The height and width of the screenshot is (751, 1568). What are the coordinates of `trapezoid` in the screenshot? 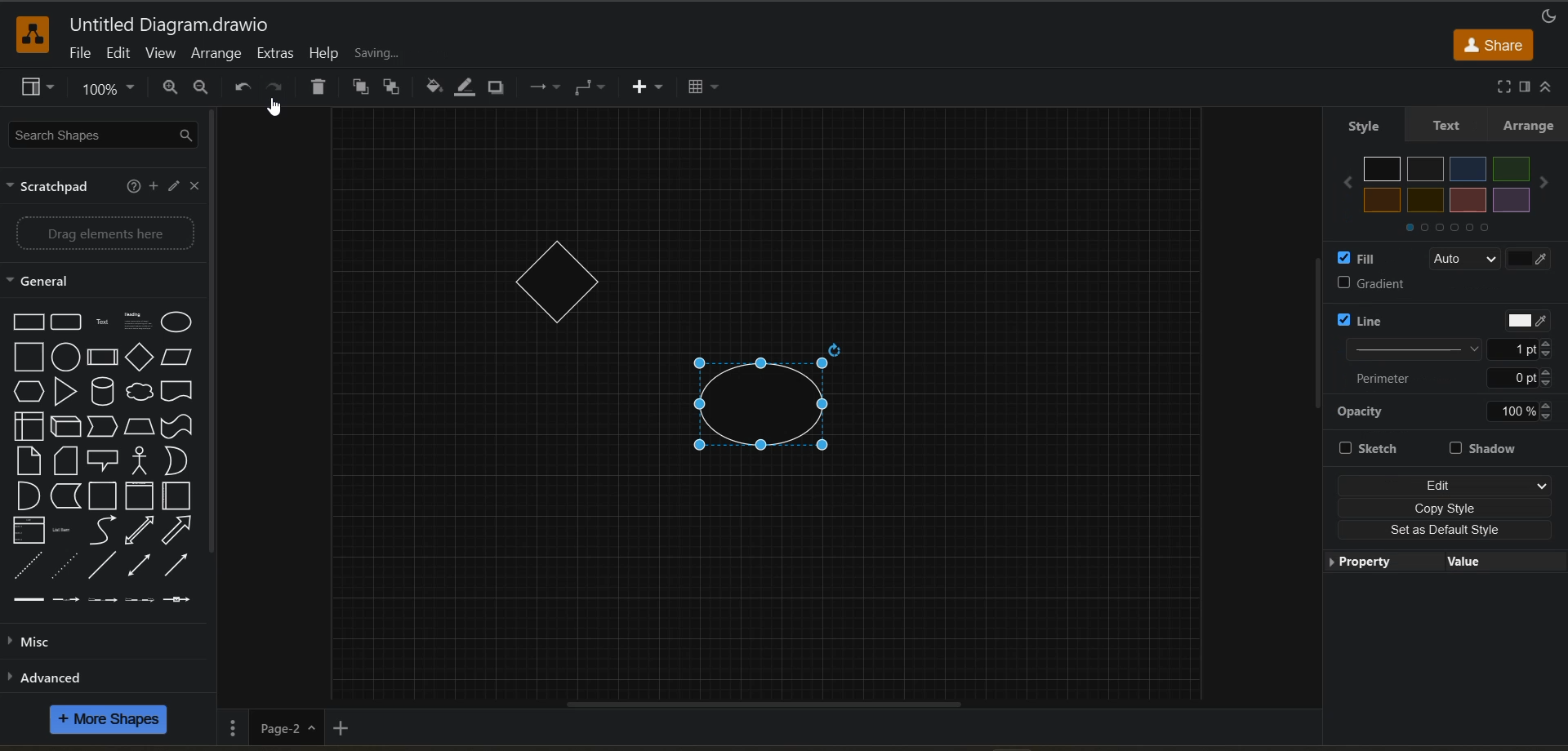 It's located at (140, 426).